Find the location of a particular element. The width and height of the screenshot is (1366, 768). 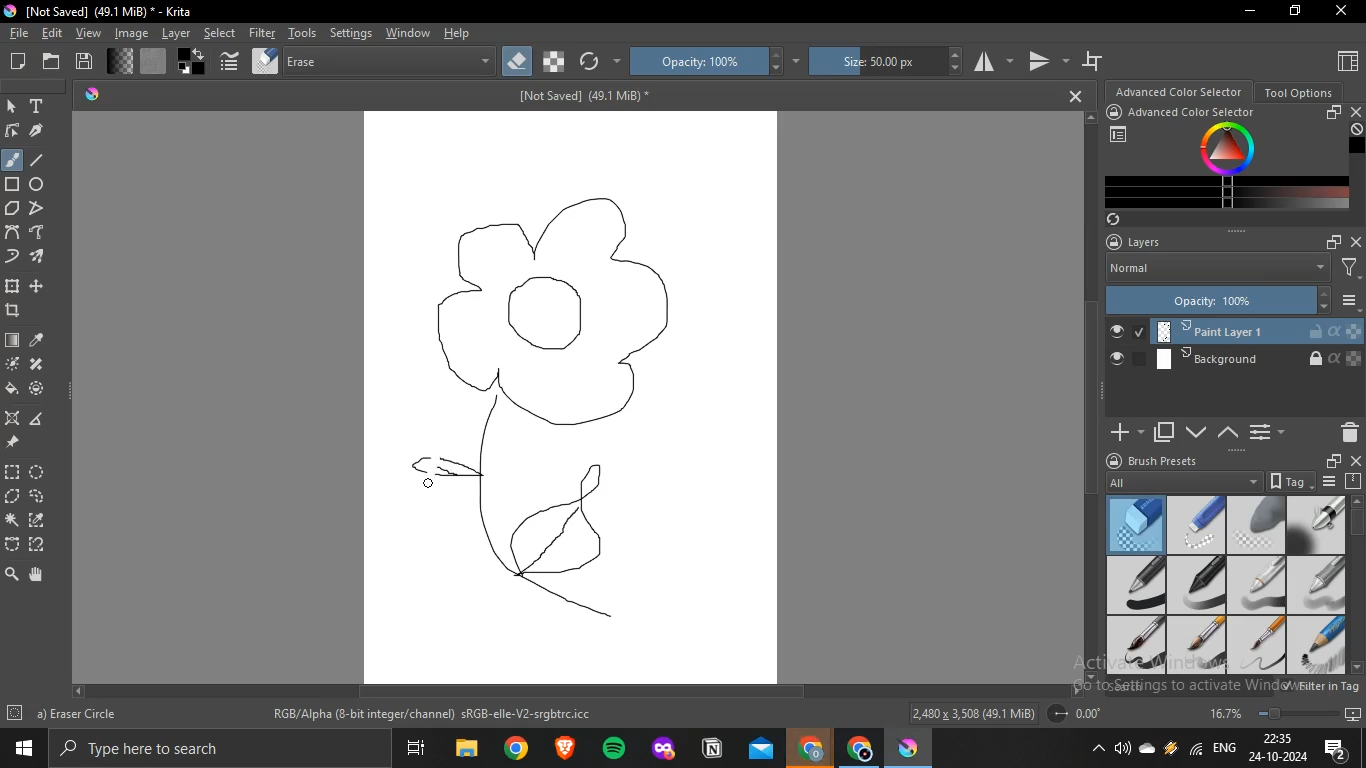

edit brush settings is located at coordinates (231, 60).